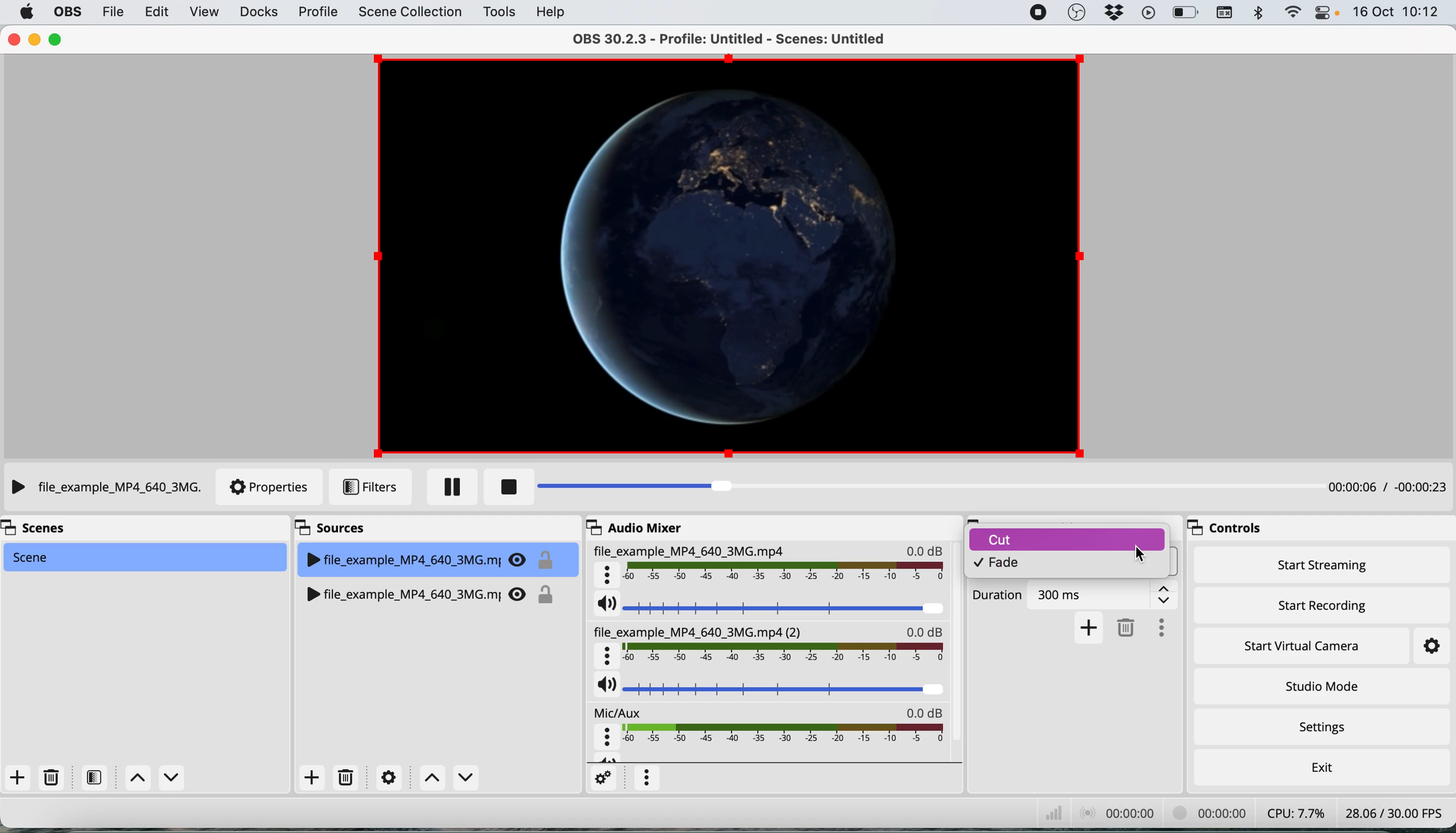  Describe the element at coordinates (1318, 604) in the screenshot. I see `start recording` at that location.